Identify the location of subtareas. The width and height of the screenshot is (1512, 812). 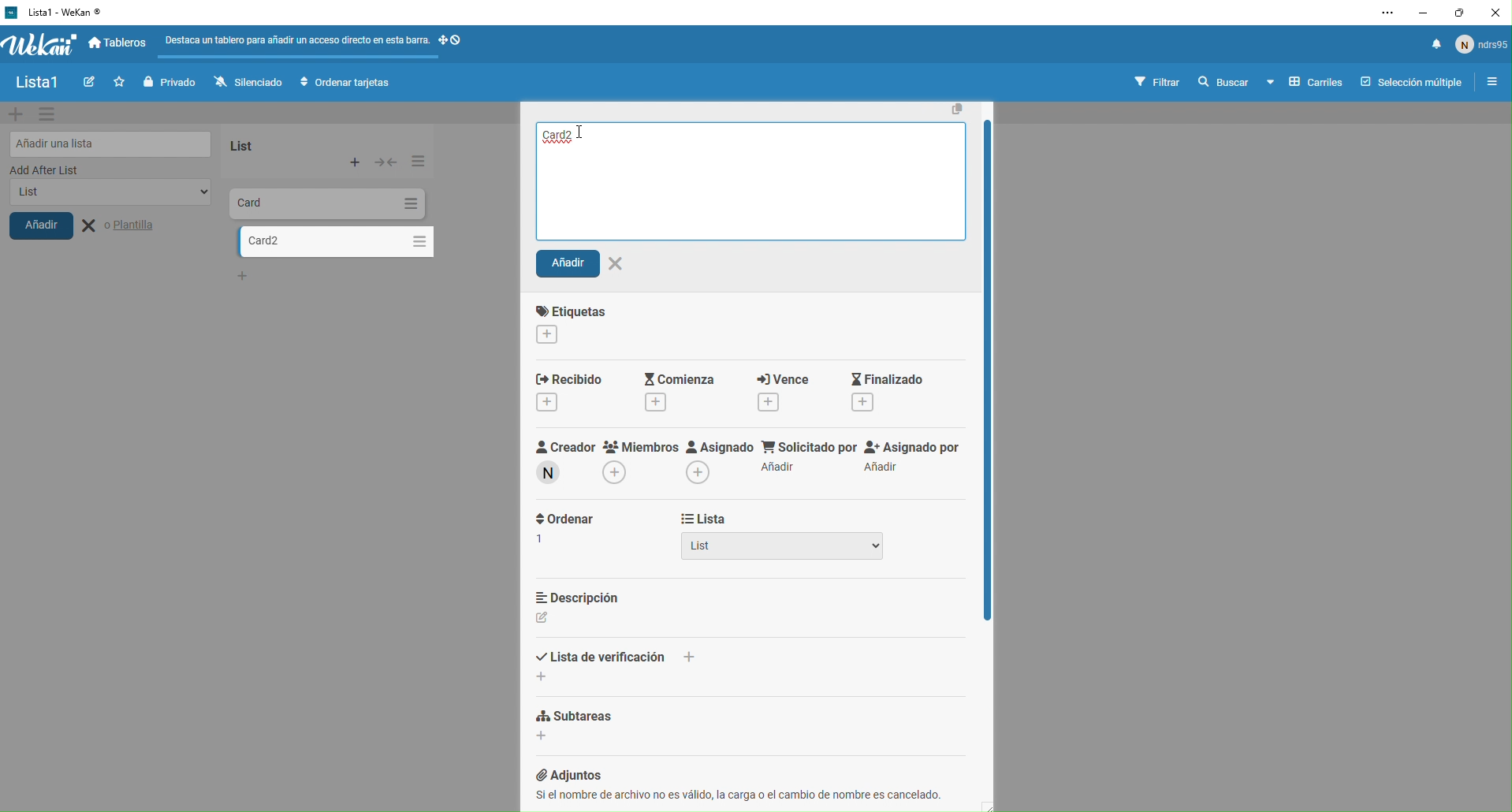
(641, 717).